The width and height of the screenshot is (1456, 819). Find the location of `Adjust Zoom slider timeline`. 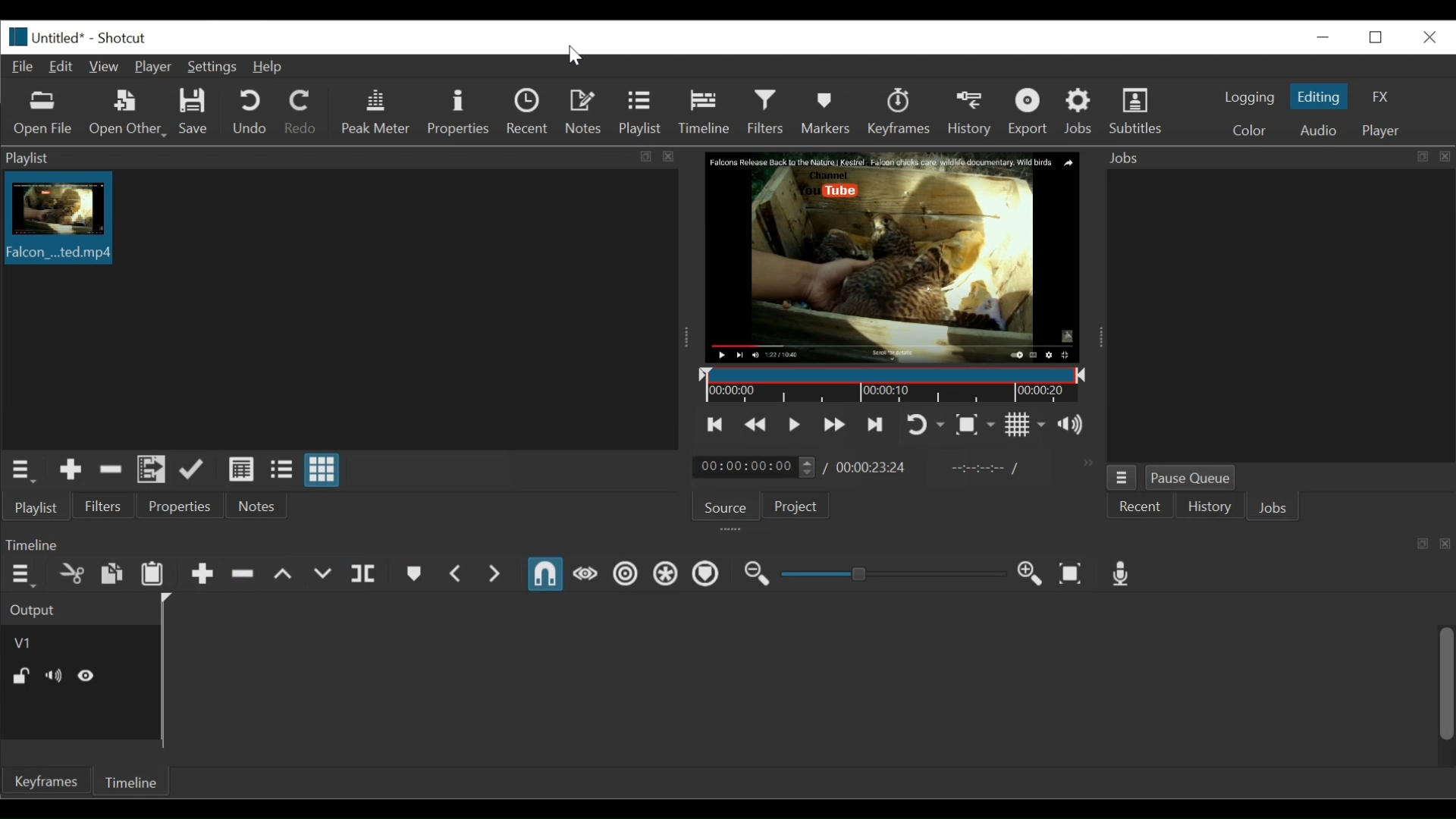

Adjust Zoom slider timeline is located at coordinates (893, 574).